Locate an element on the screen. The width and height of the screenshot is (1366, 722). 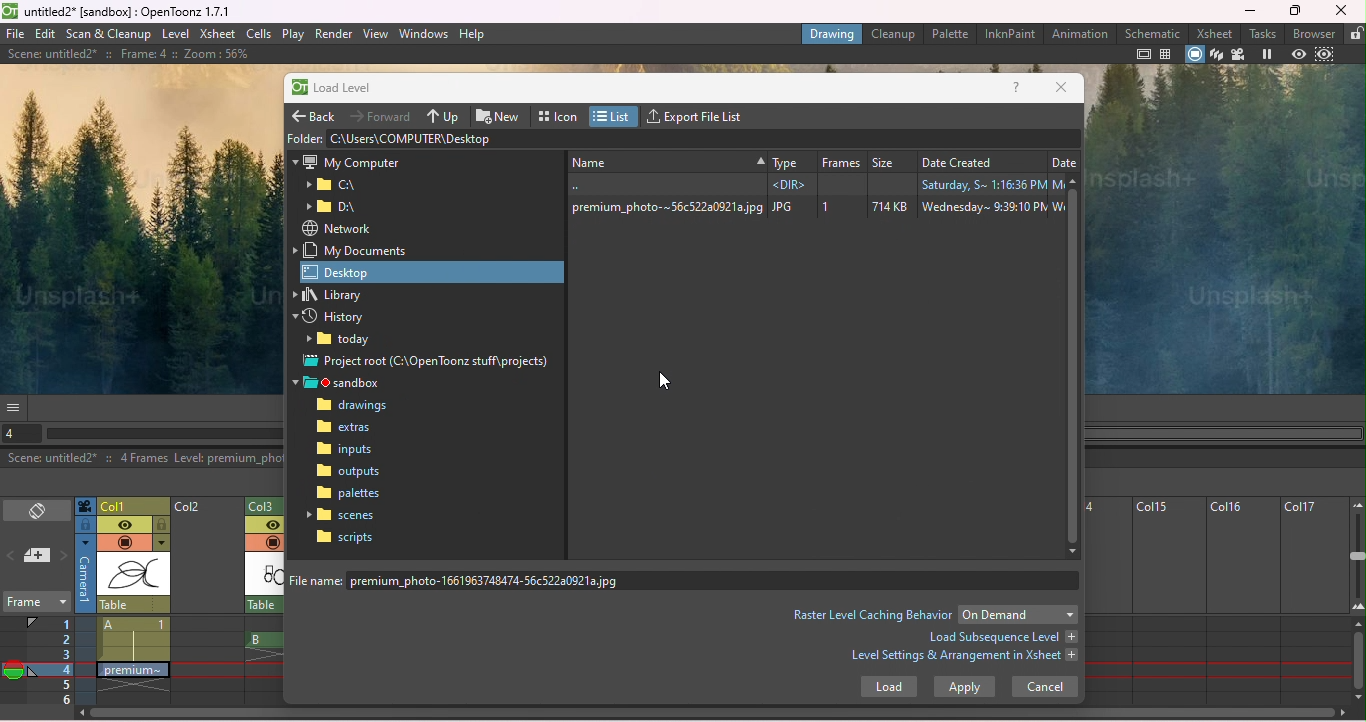
Vertical scroll bar is located at coordinates (1075, 366).